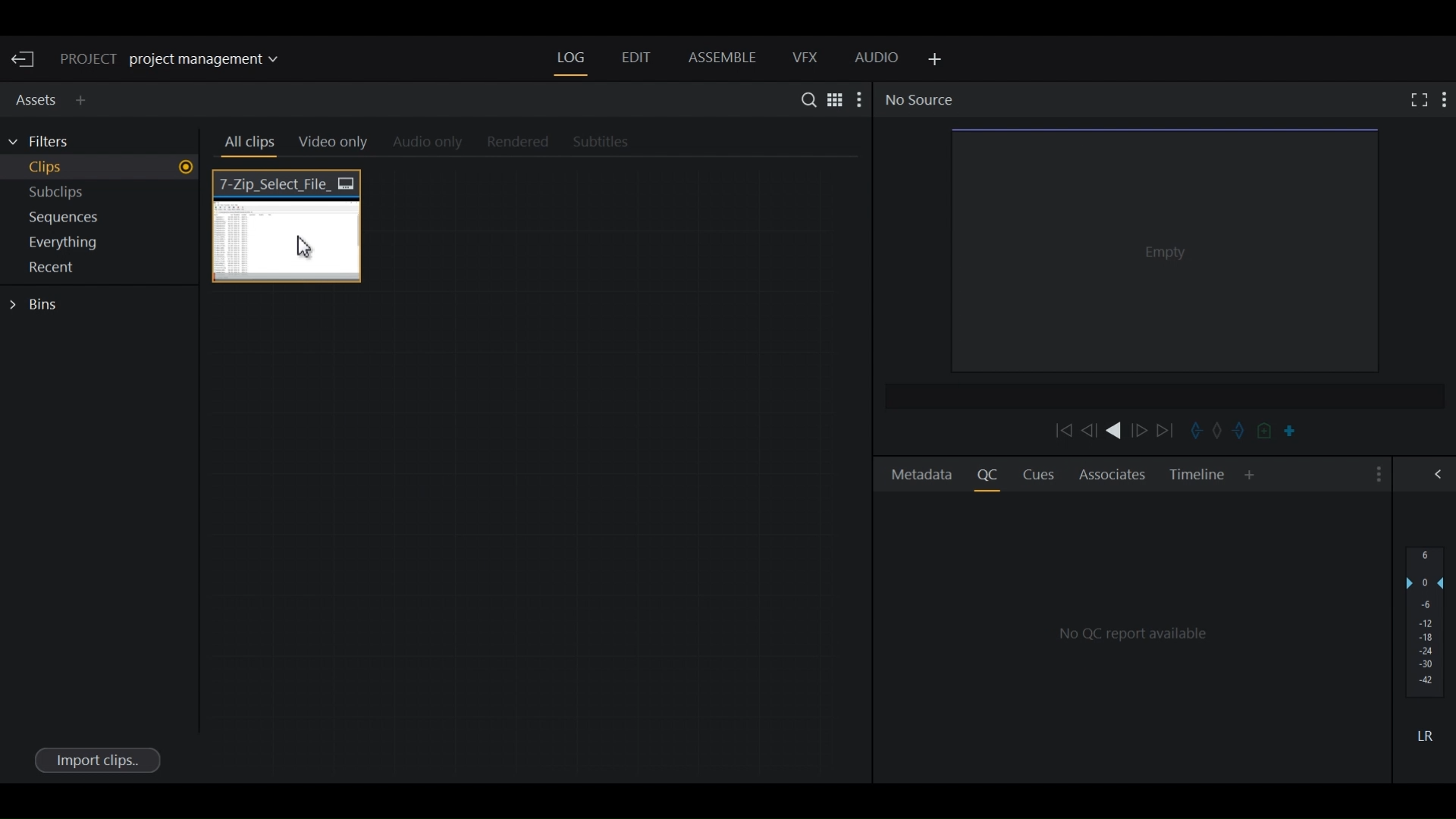 Image resolution: width=1456 pixels, height=819 pixels. I want to click on Filters, so click(47, 142).